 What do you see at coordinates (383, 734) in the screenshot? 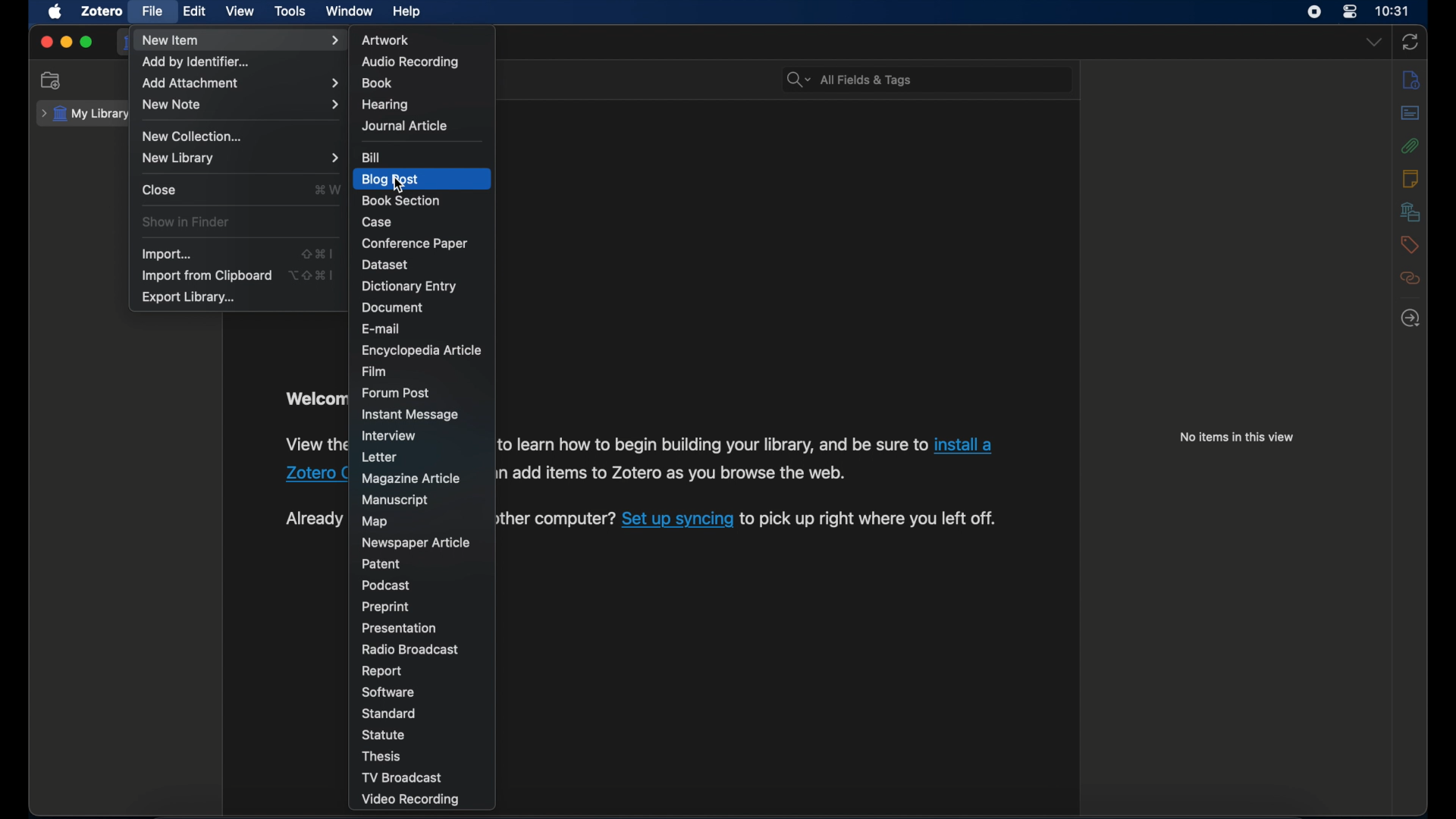
I see `statue` at bounding box center [383, 734].